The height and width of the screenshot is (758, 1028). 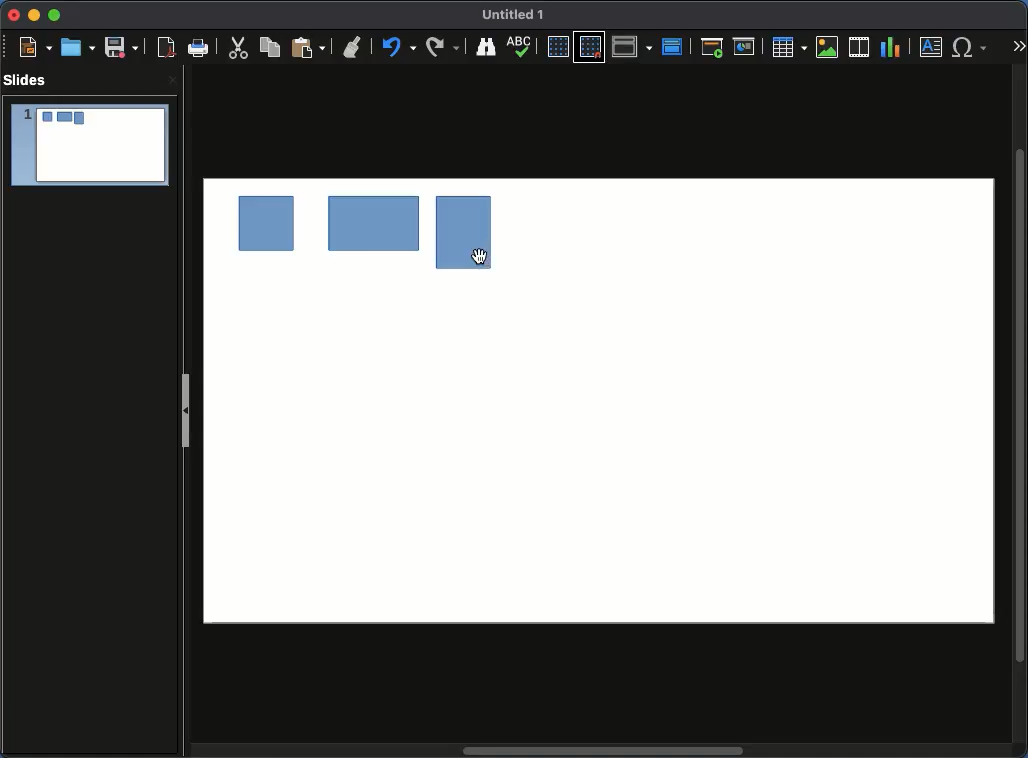 I want to click on Name, so click(x=515, y=13).